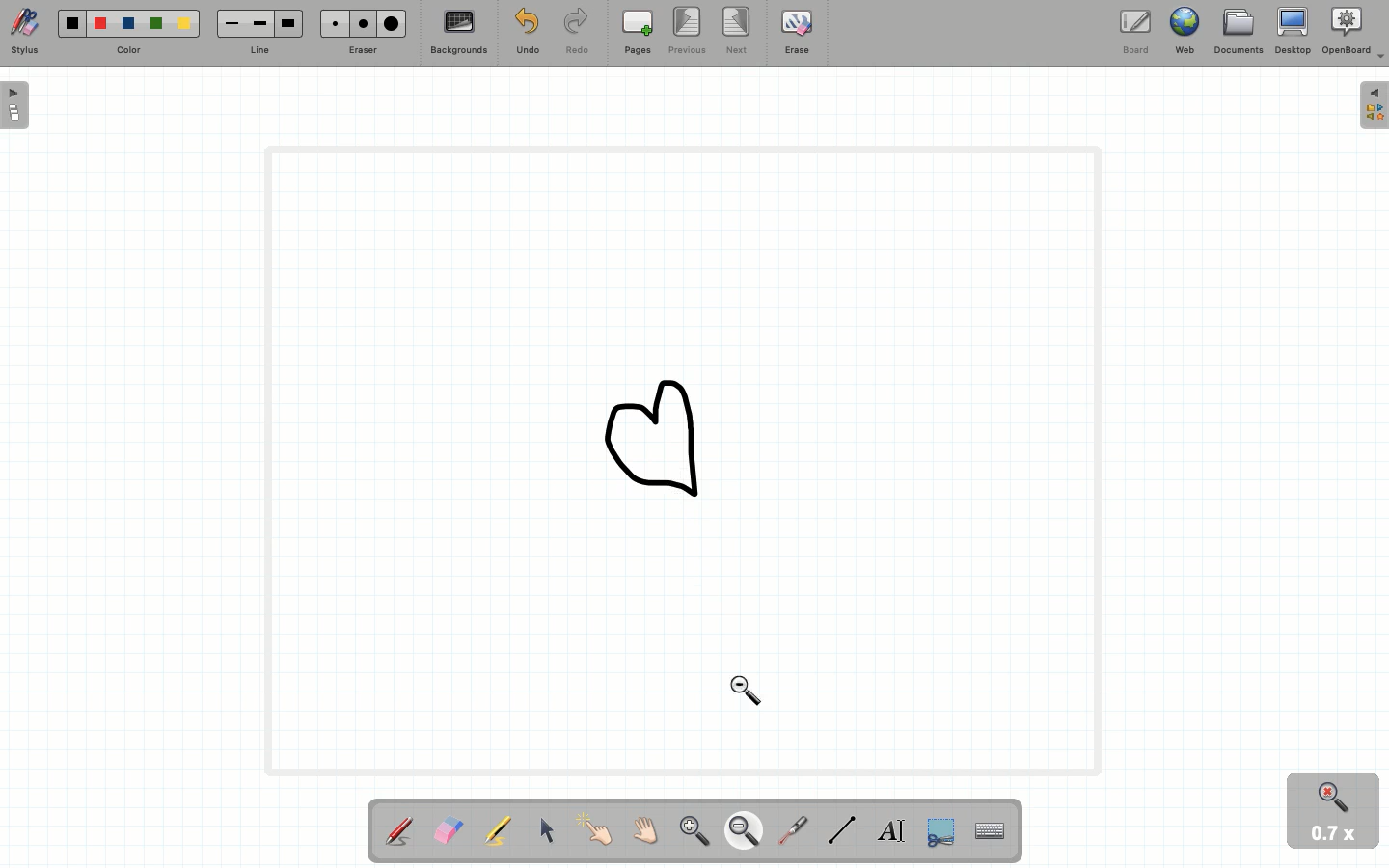 The width and height of the screenshot is (1389, 868). What do you see at coordinates (676, 463) in the screenshot?
I see `Frame (Zoomed out)` at bounding box center [676, 463].